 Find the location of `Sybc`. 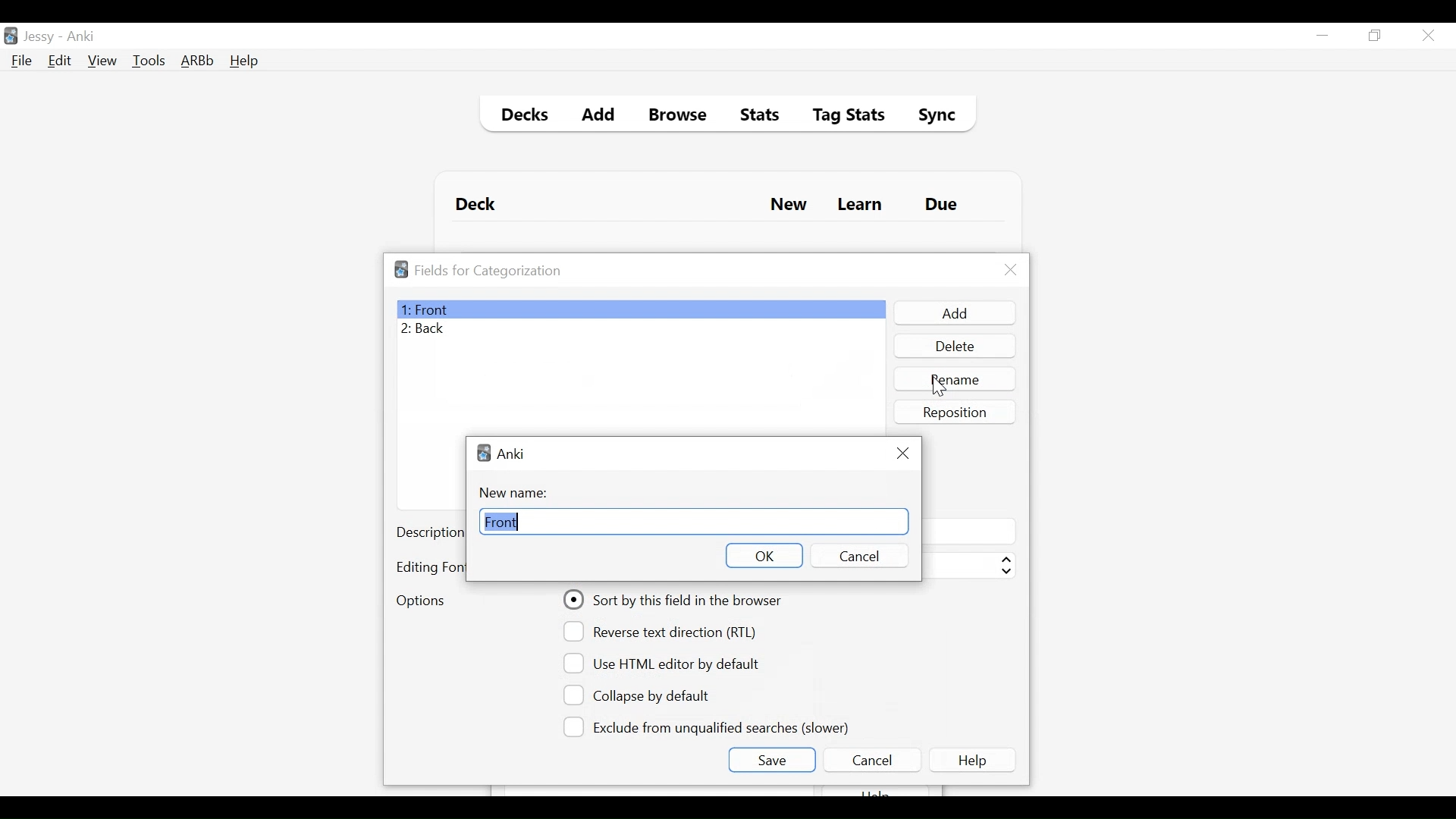

Sybc is located at coordinates (931, 117).